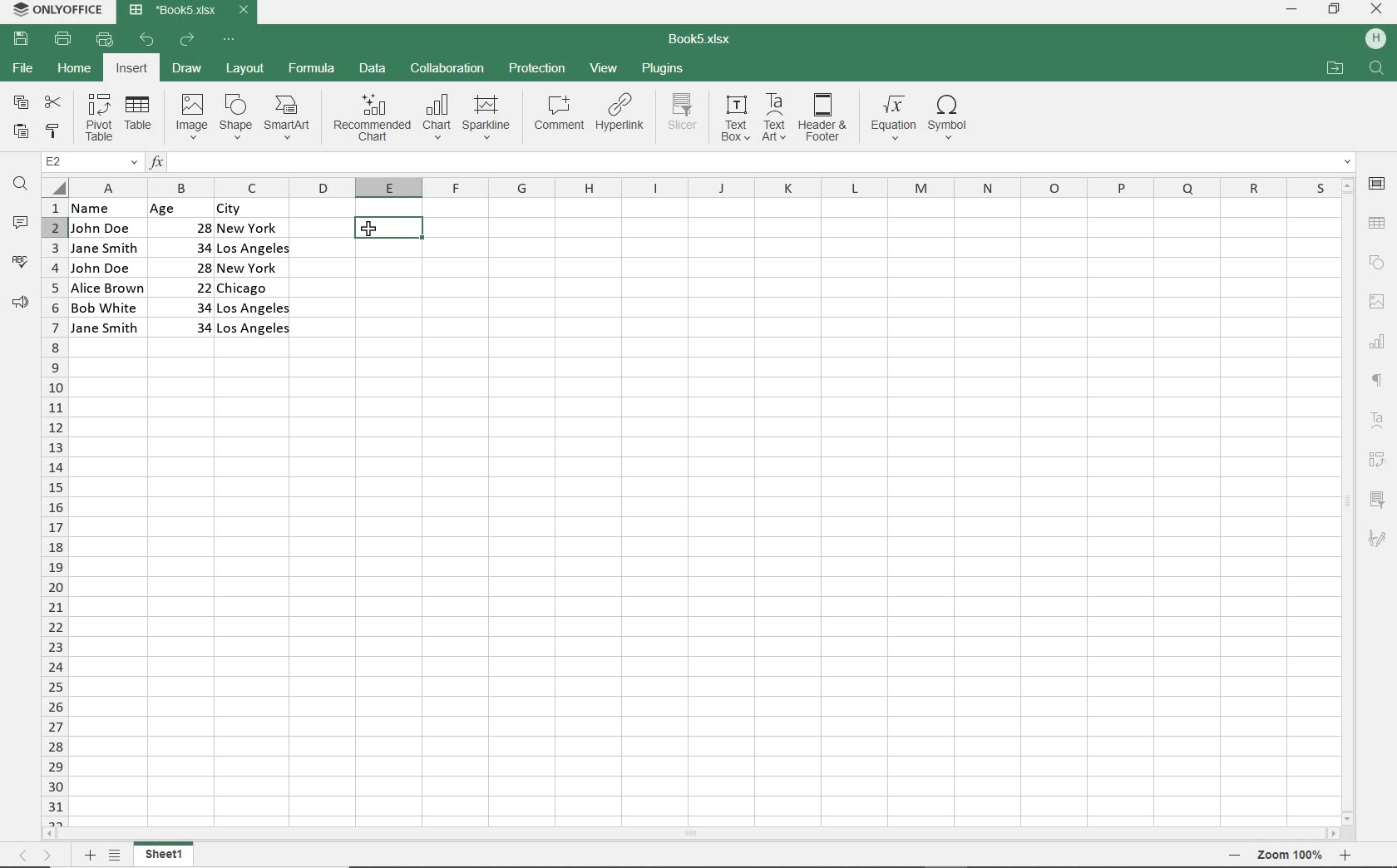 The width and height of the screenshot is (1397, 868). I want to click on 28, so click(195, 267).